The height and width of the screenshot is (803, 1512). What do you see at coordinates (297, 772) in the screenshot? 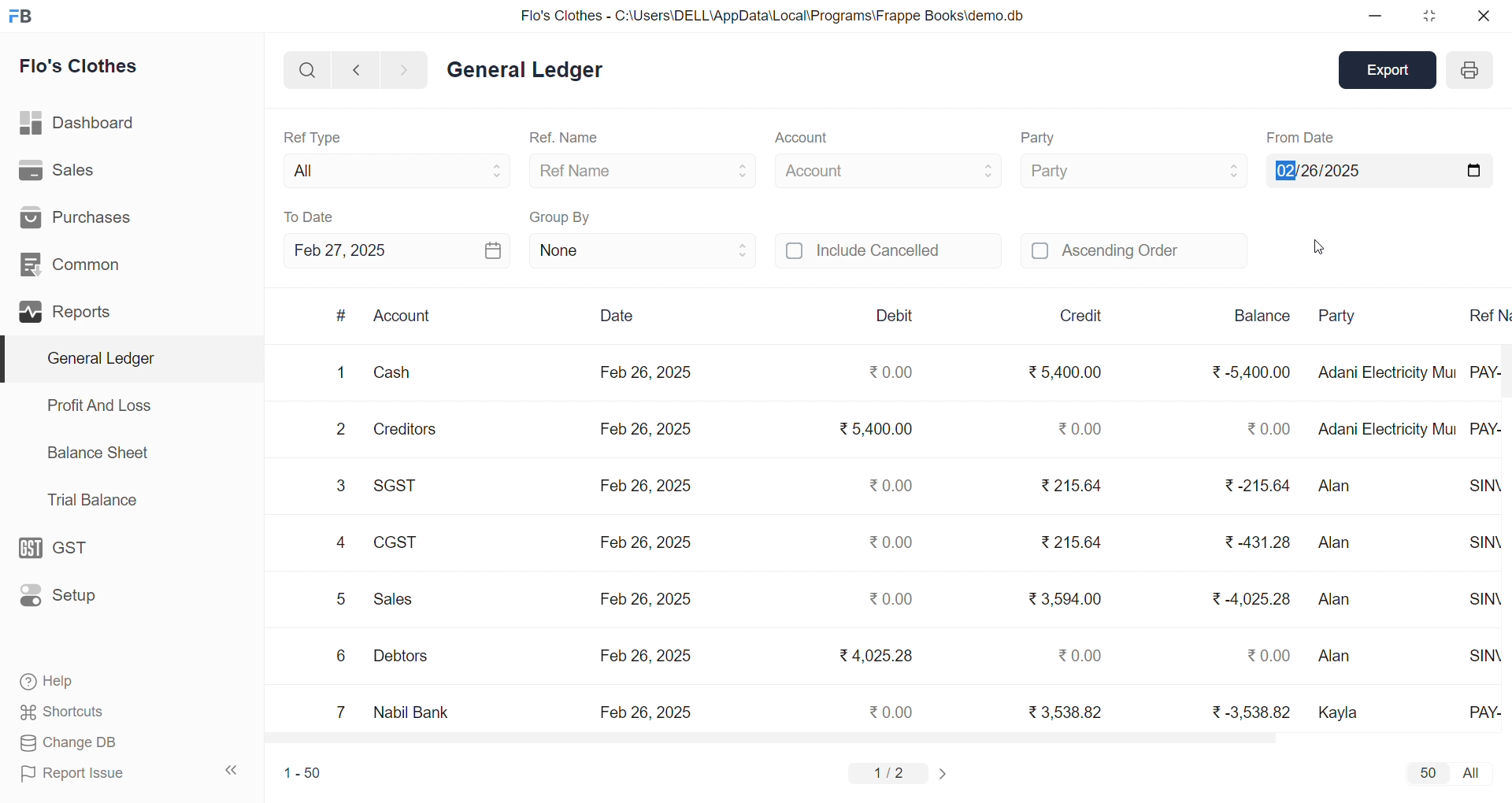
I see `1-50` at bounding box center [297, 772].